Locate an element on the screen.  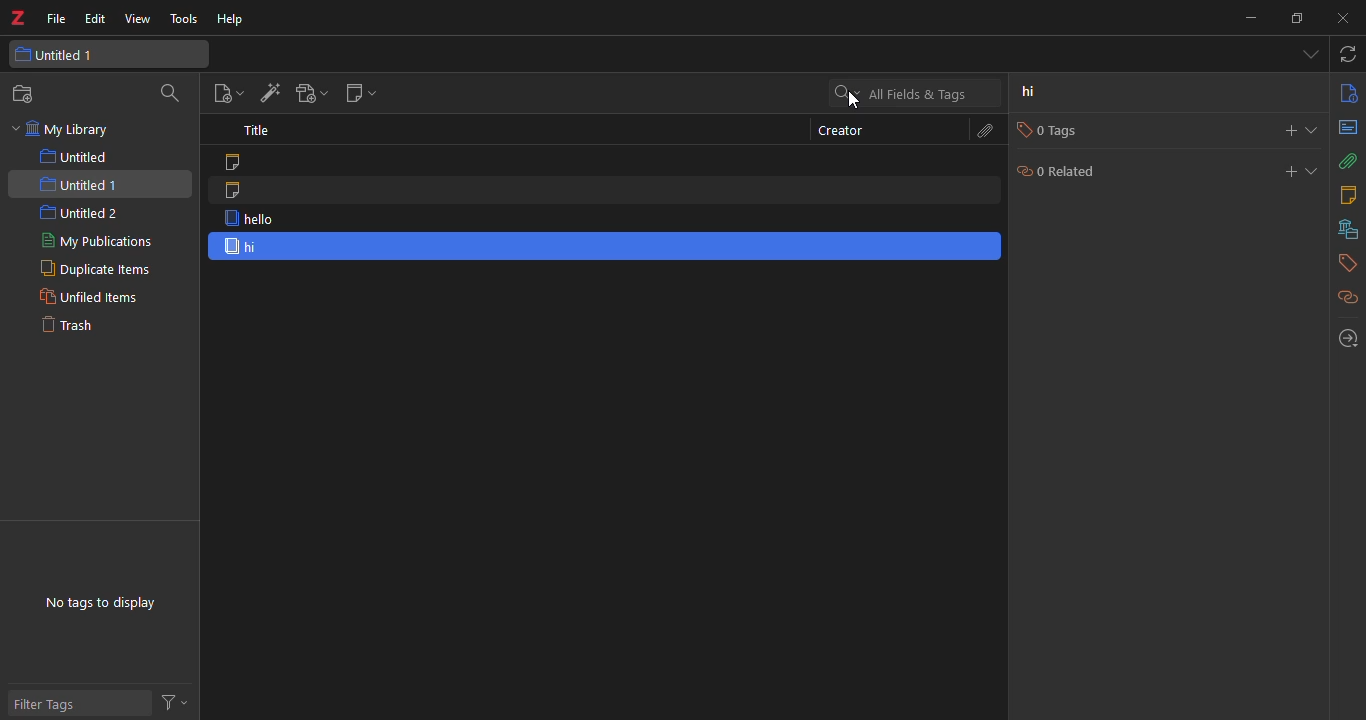
attach is located at coordinates (1348, 160).